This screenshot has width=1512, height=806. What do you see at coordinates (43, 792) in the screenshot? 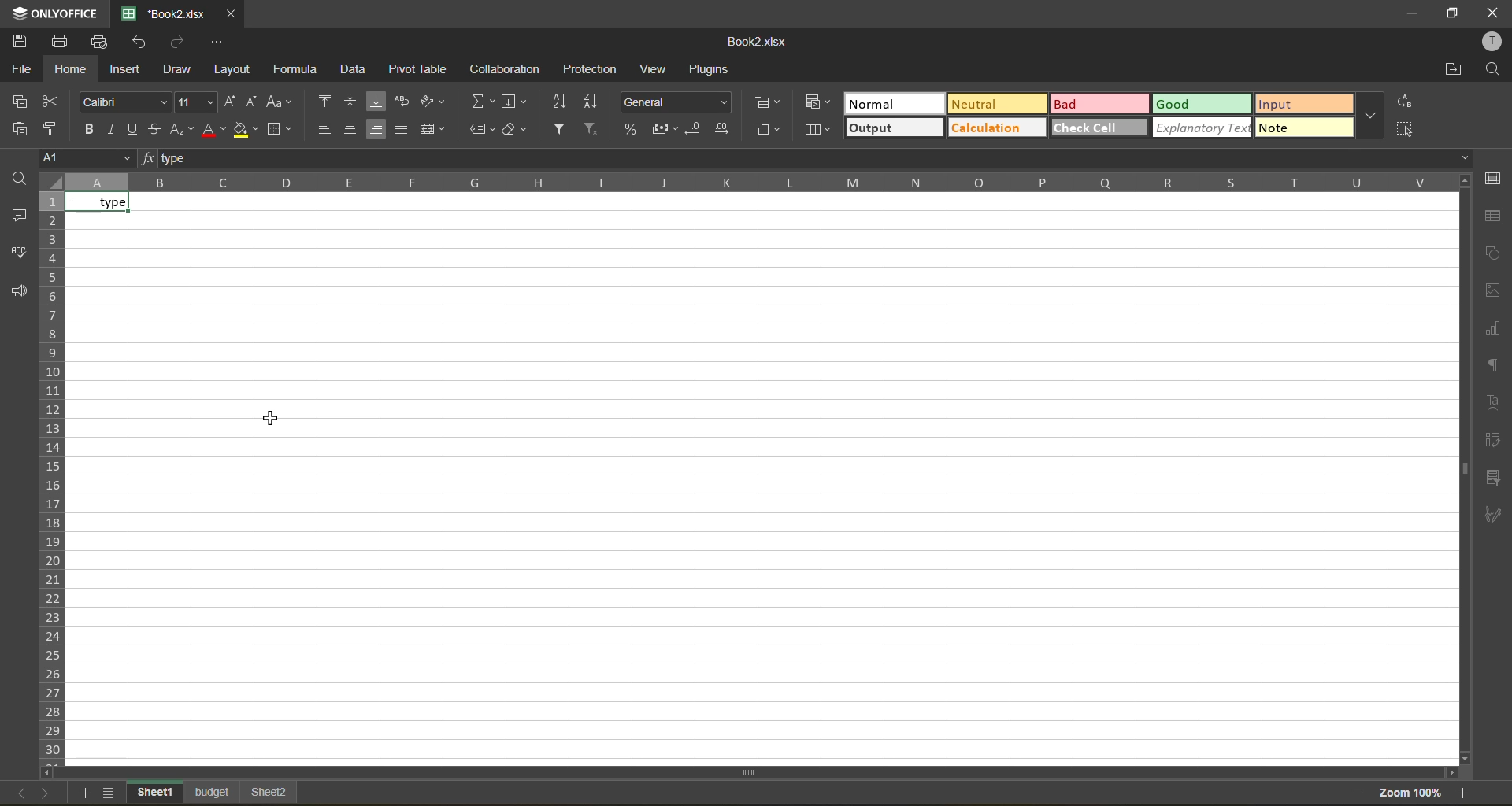
I see `next` at bounding box center [43, 792].